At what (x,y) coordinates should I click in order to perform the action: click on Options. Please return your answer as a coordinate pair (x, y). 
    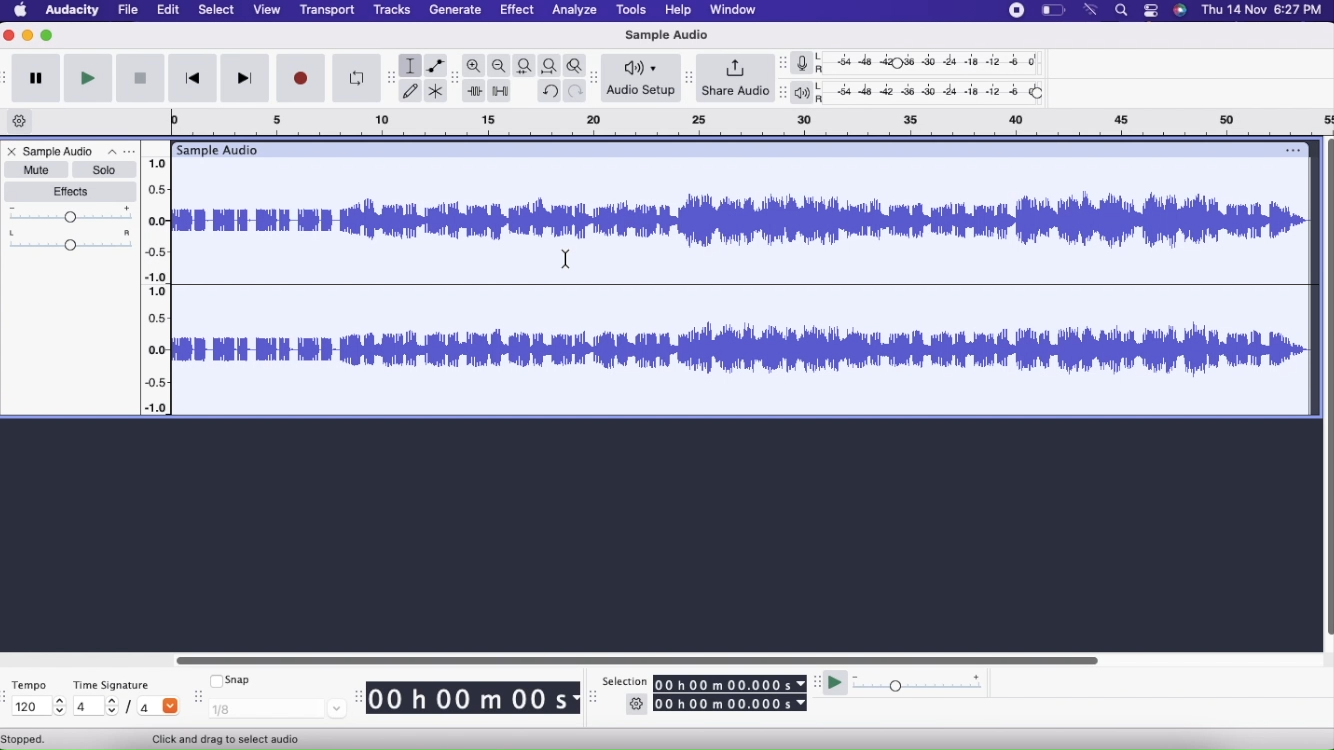
    Looking at the image, I should click on (120, 151).